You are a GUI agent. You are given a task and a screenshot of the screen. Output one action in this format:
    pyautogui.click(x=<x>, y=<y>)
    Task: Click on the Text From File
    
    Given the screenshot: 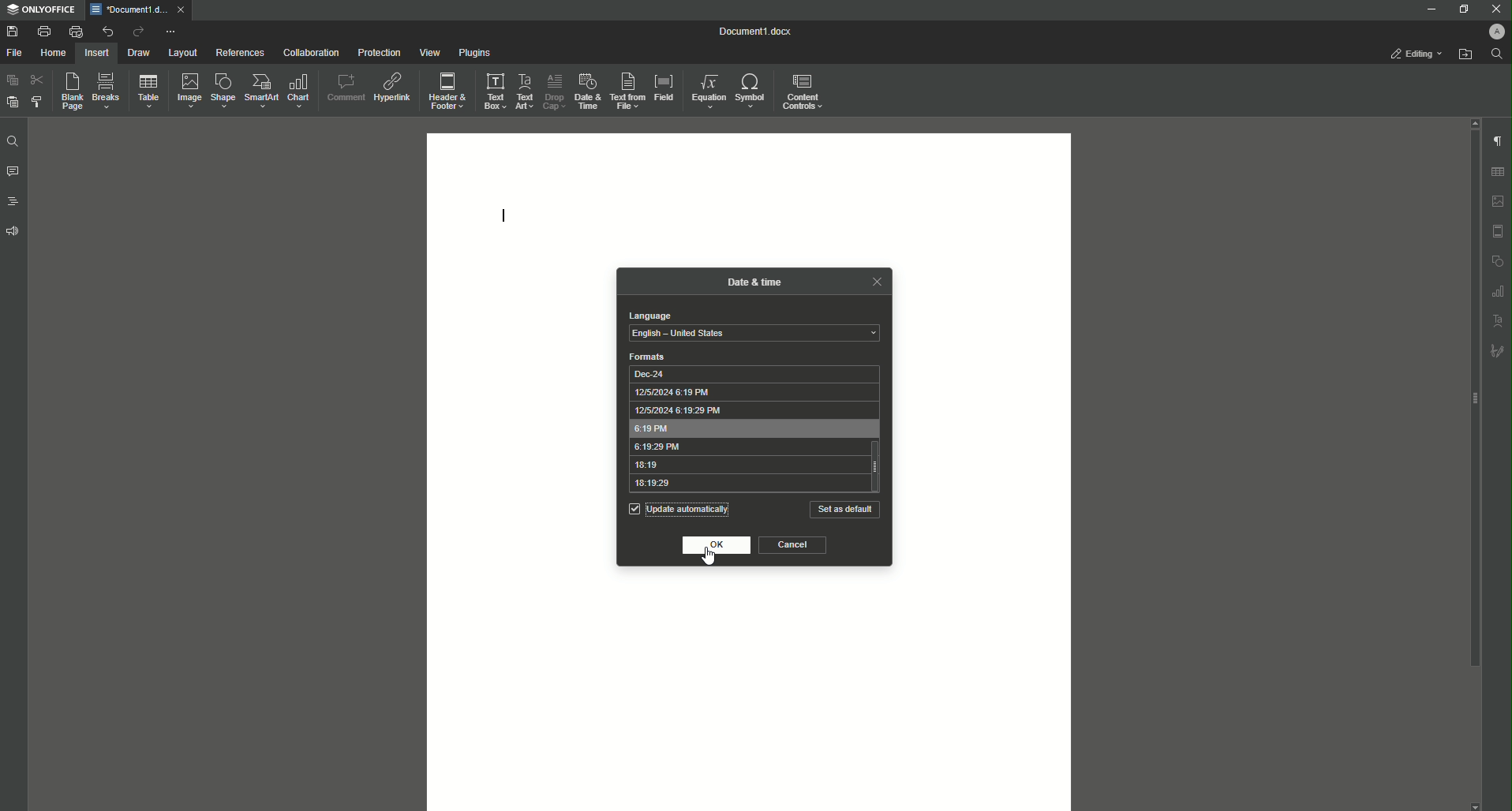 What is the action you would take?
    pyautogui.click(x=628, y=92)
    